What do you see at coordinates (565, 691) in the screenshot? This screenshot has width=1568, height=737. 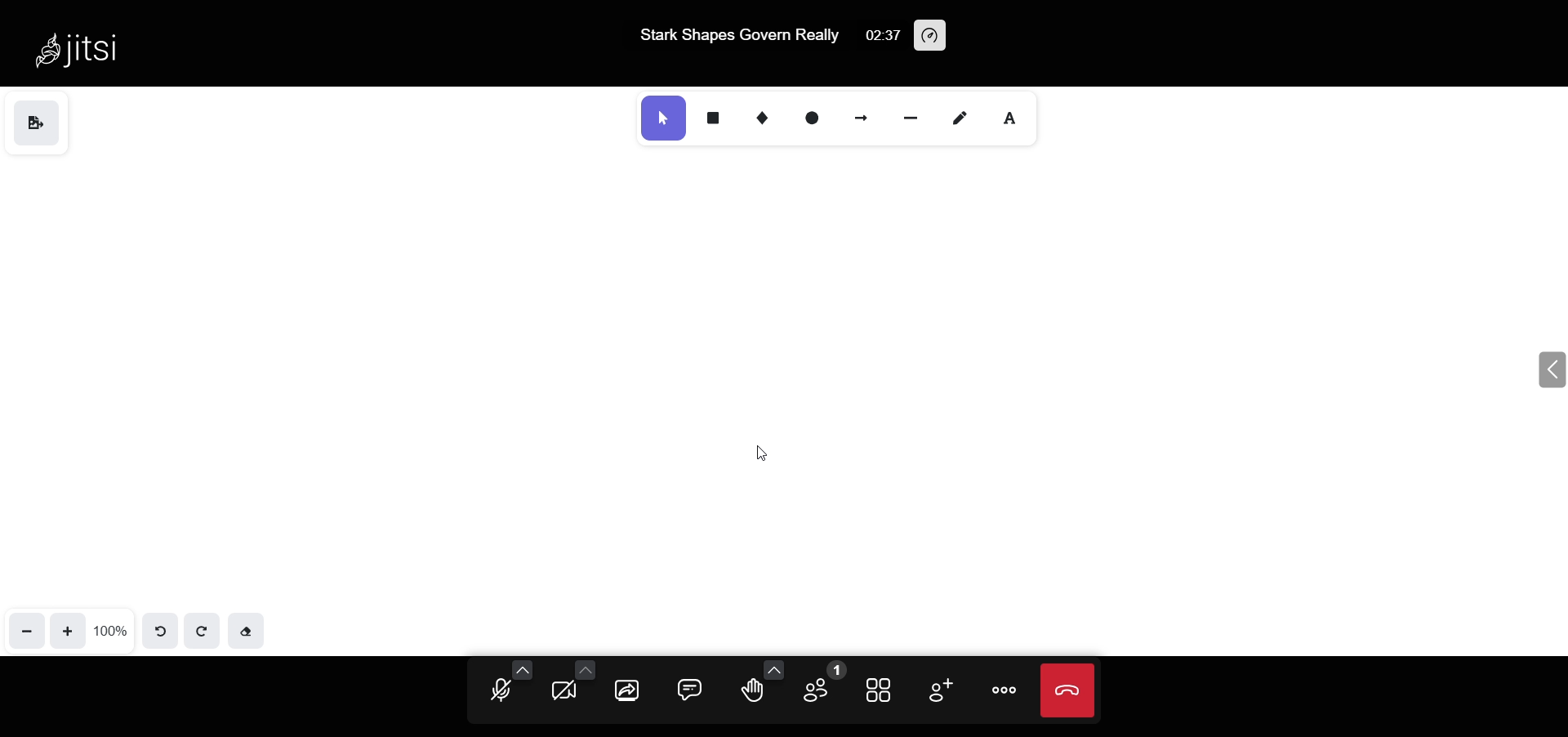 I see `camera` at bounding box center [565, 691].